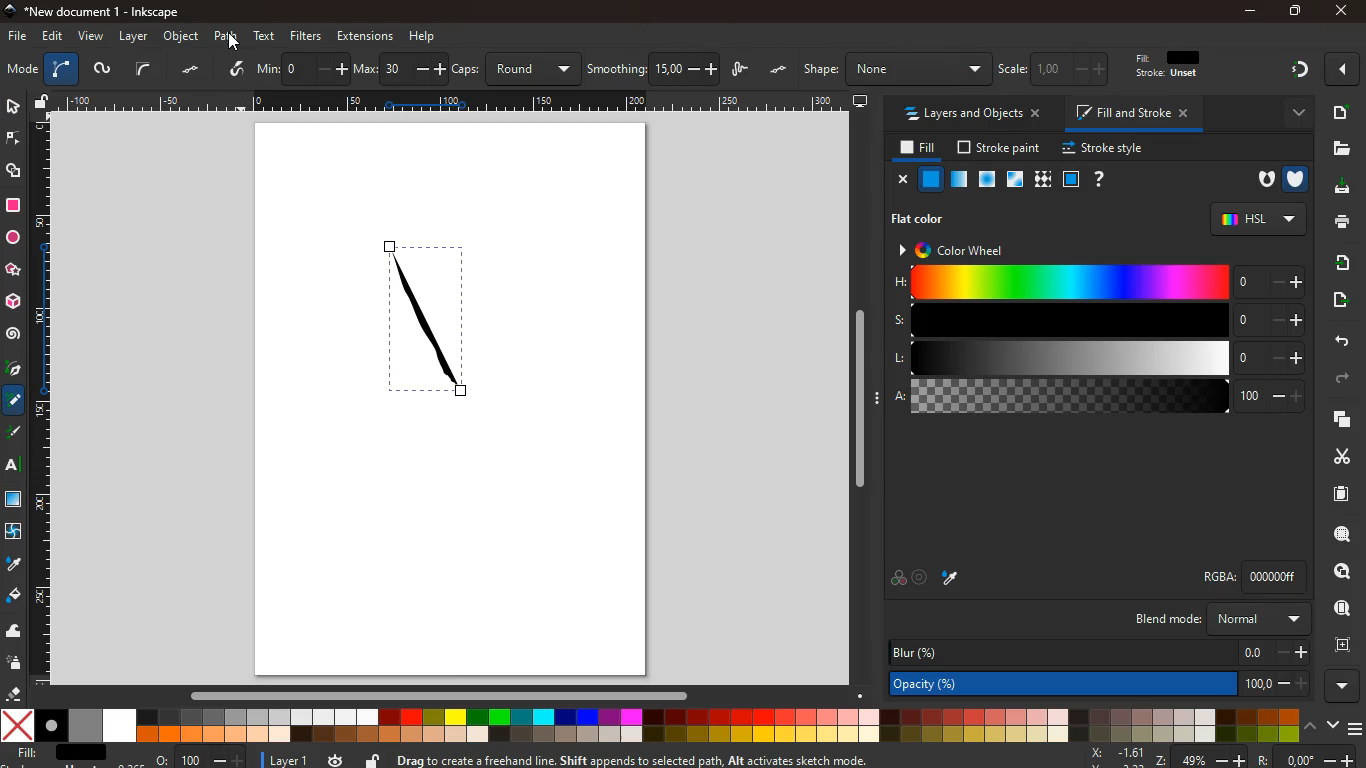 The height and width of the screenshot is (768, 1366). What do you see at coordinates (1339, 112) in the screenshot?
I see `document` at bounding box center [1339, 112].